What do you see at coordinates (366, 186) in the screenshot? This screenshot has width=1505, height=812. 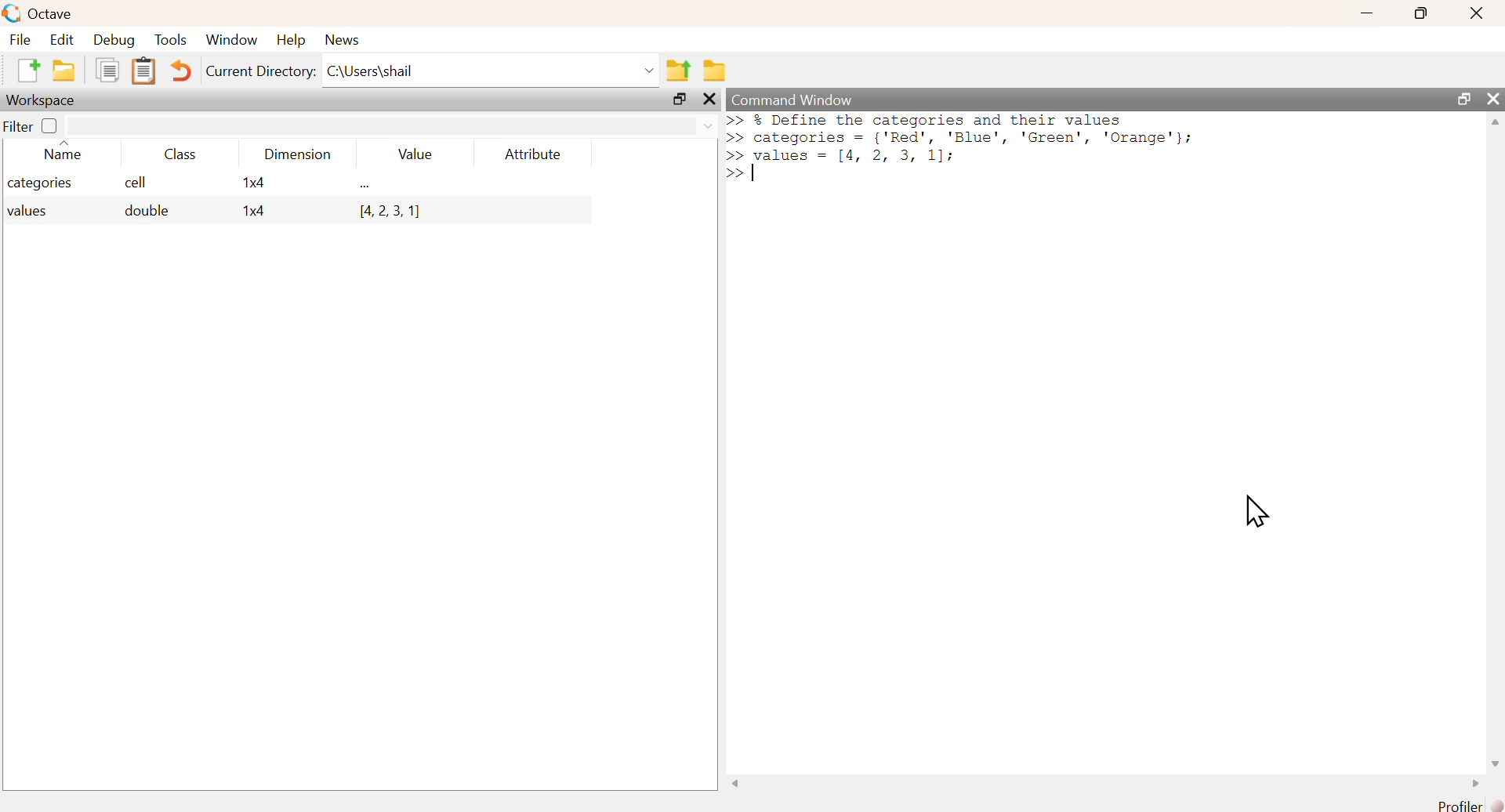 I see `...` at bounding box center [366, 186].